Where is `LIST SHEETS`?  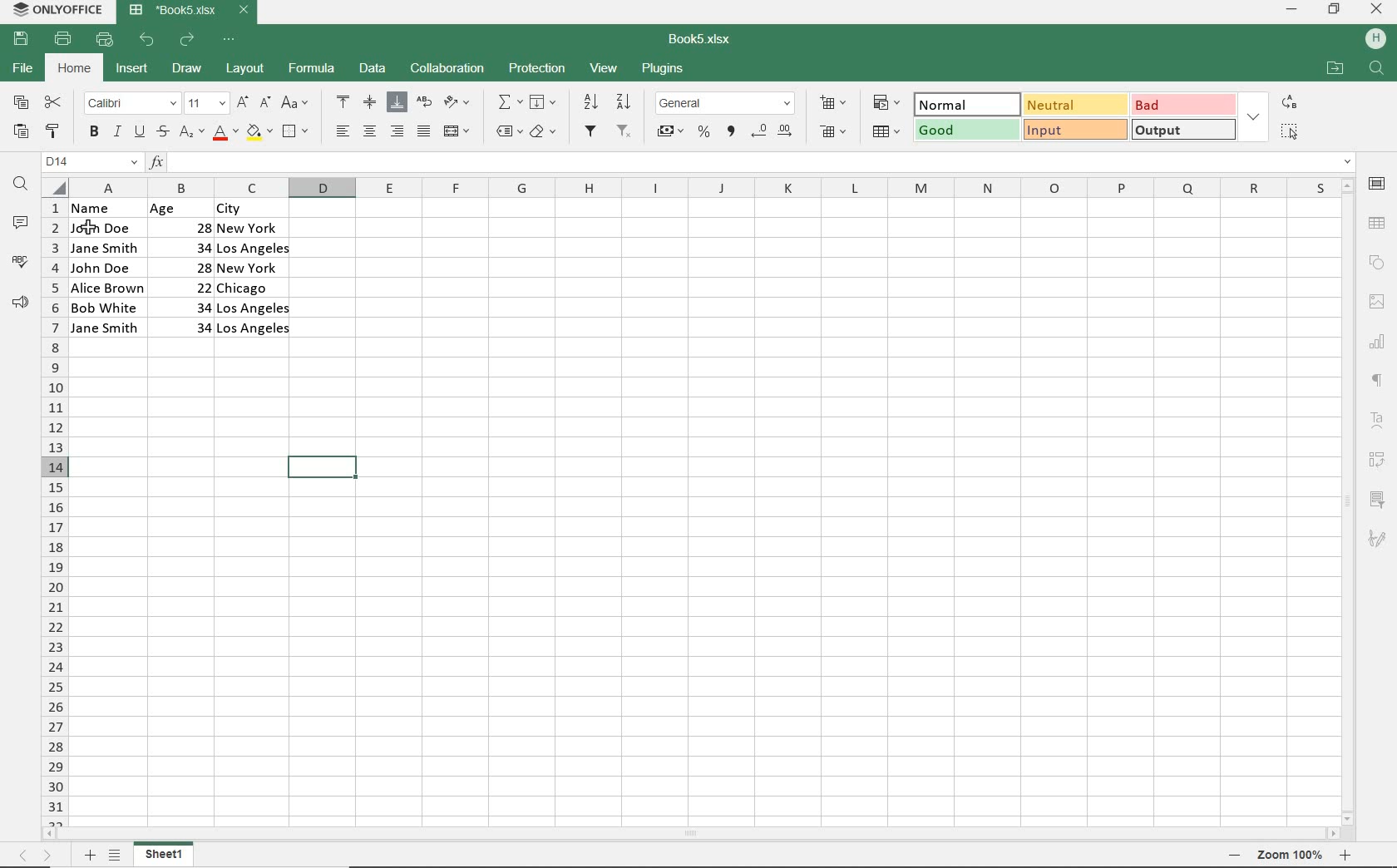
LIST SHEETS is located at coordinates (118, 856).